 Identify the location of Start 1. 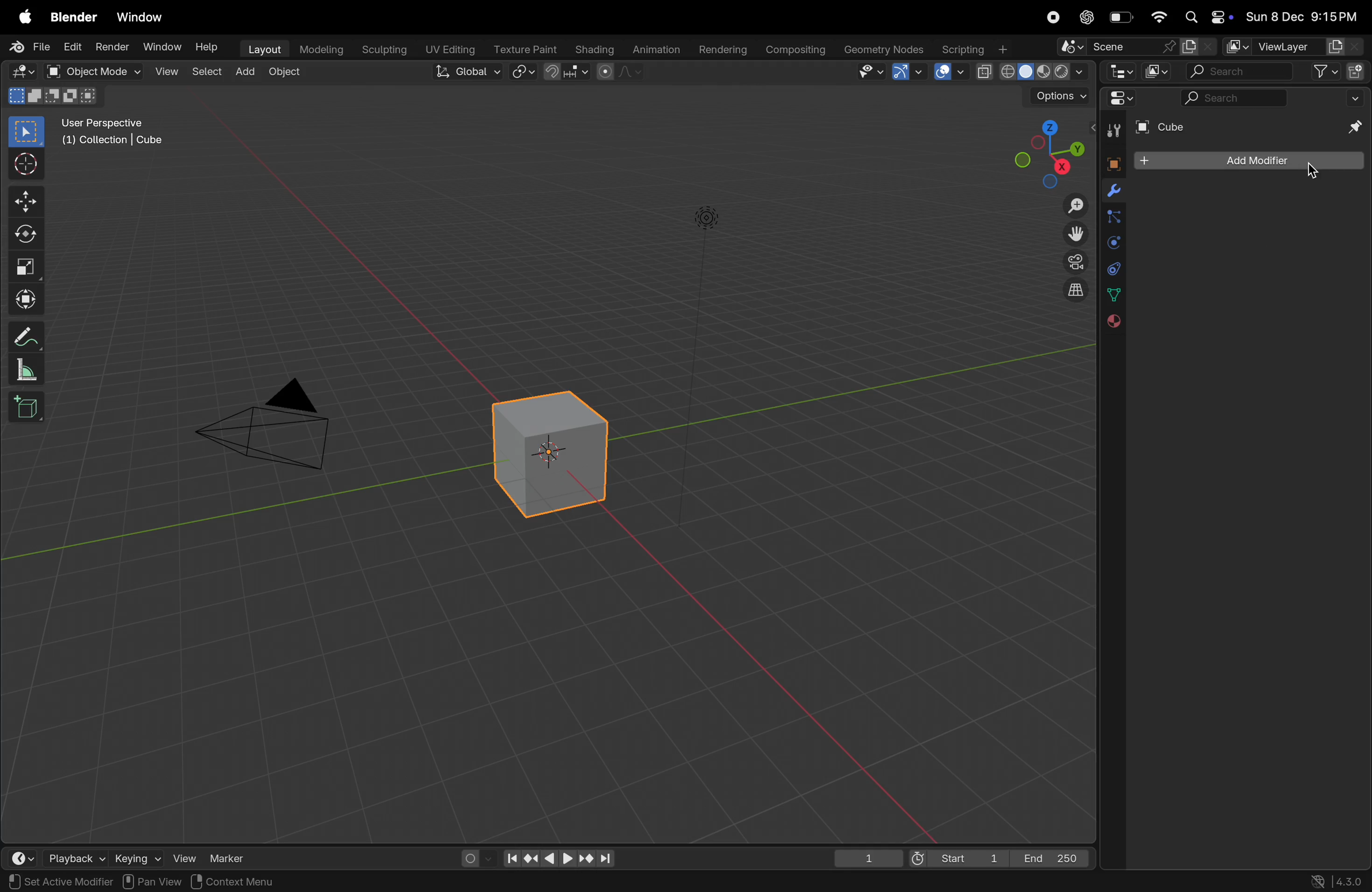
(956, 857).